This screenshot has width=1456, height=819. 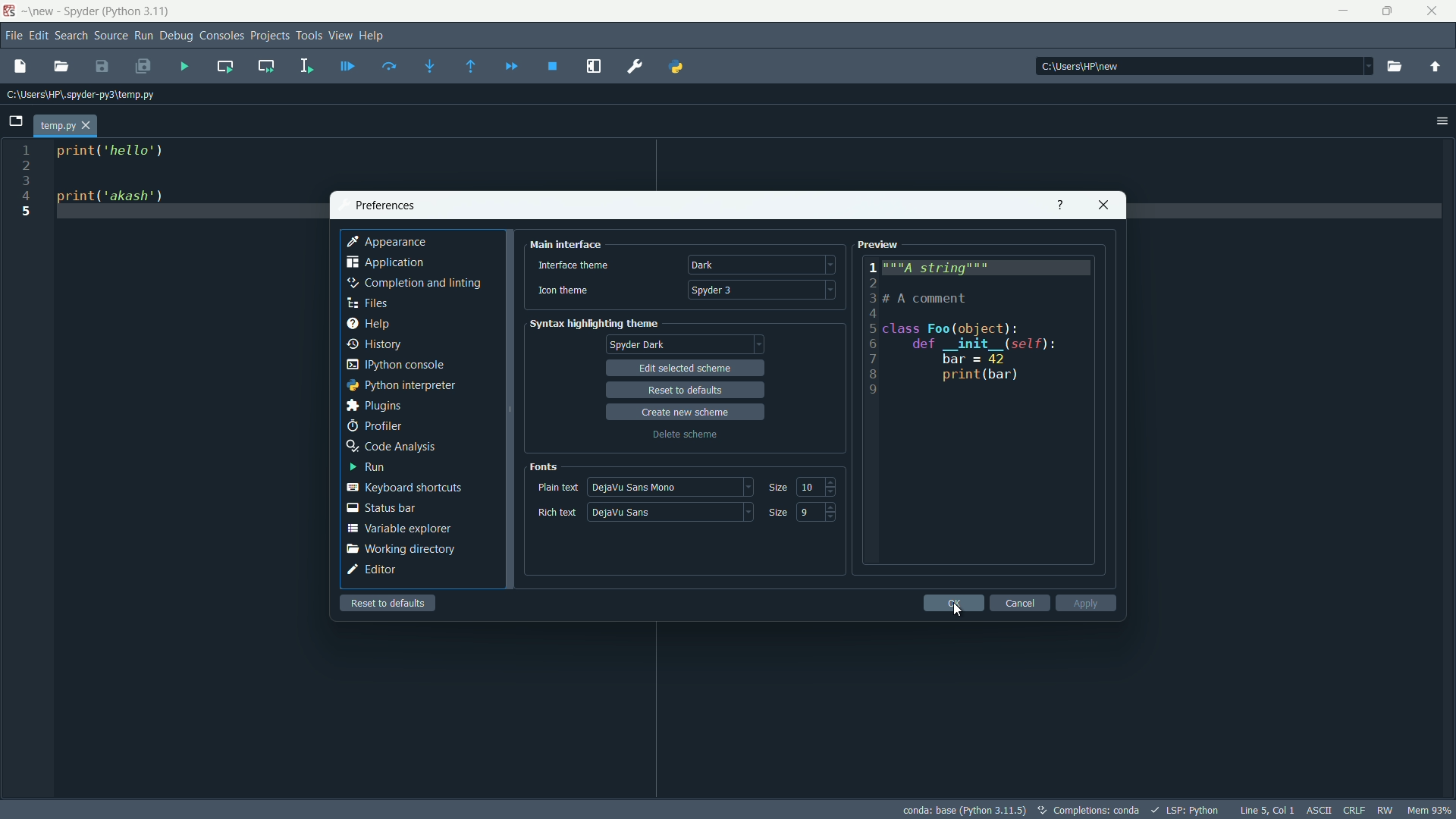 What do you see at coordinates (372, 323) in the screenshot?
I see `help` at bounding box center [372, 323].